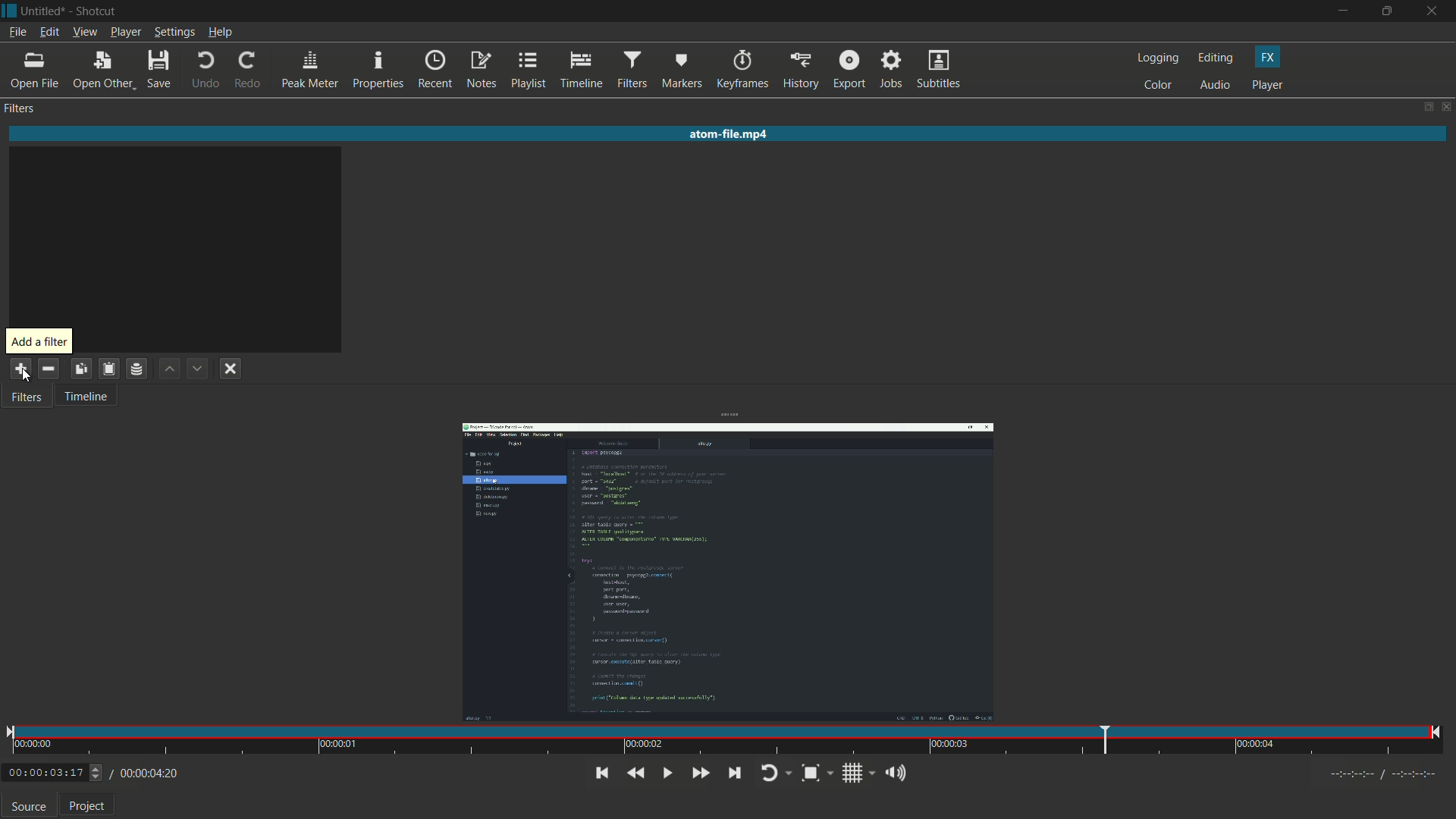 Image resolution: width=1456 pixels, height=819 pixels. I want to click on deselect filter, so click(231, 369).